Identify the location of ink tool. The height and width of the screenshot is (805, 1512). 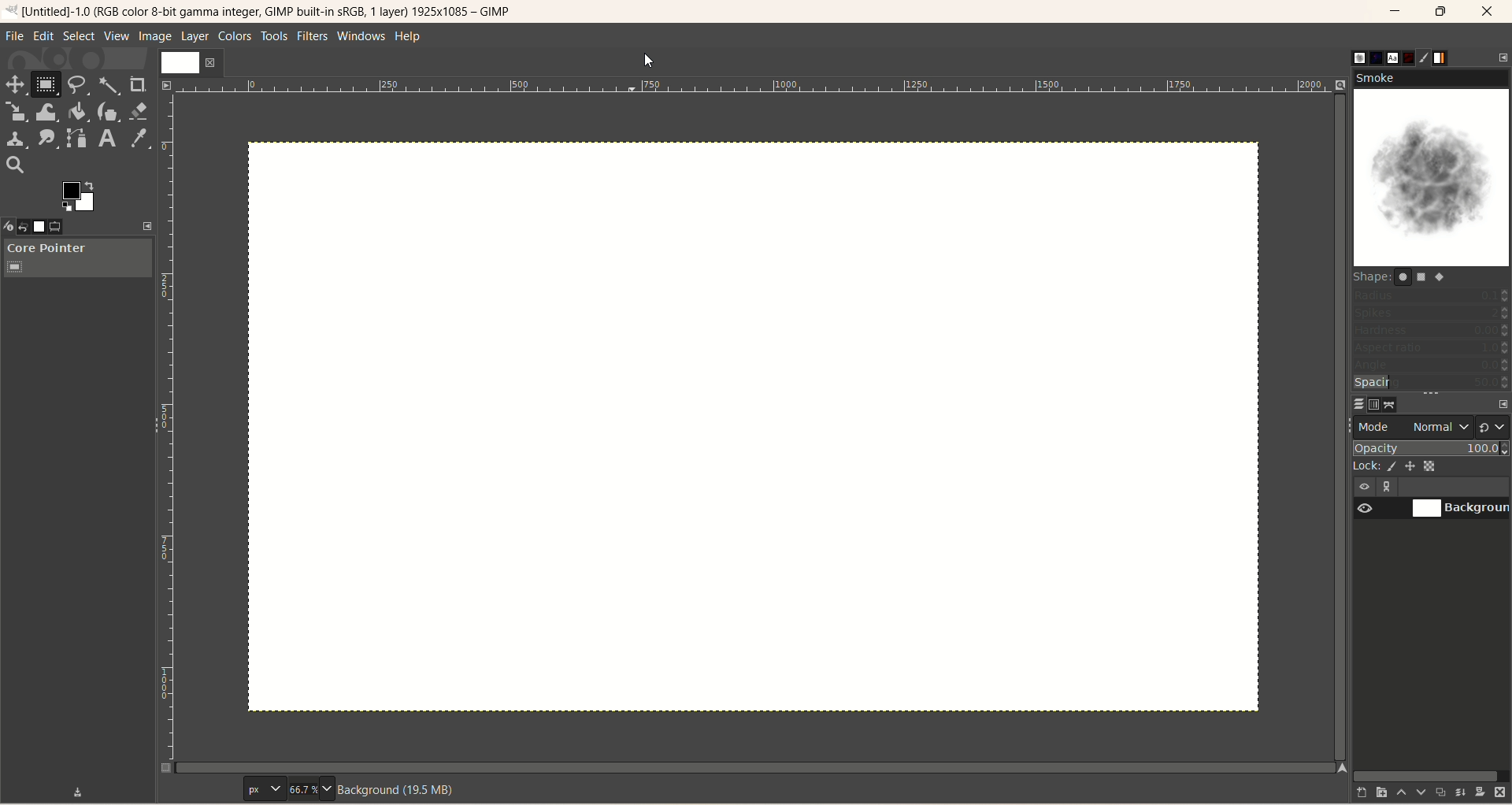
(108, 112).